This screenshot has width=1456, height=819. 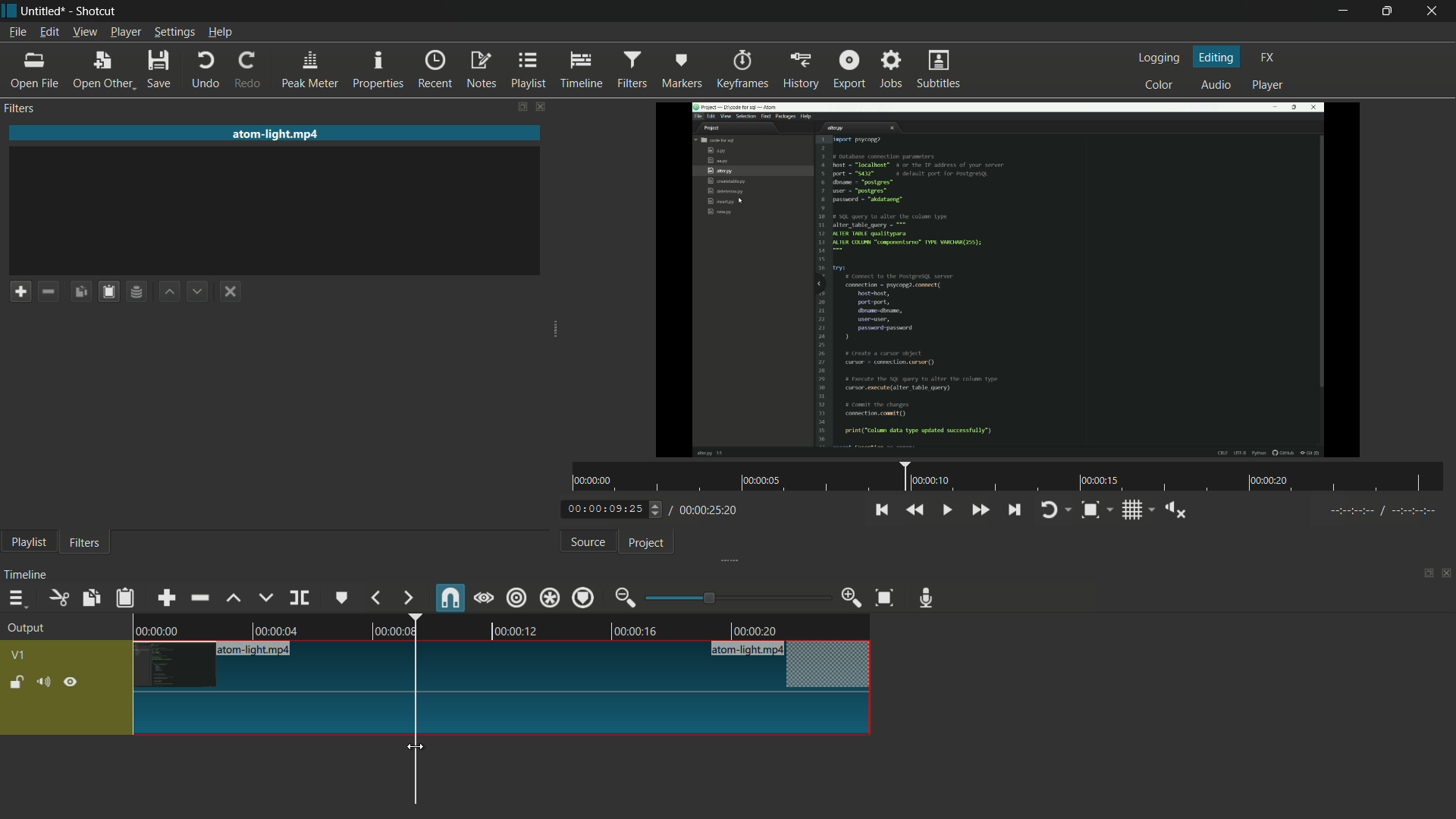 What do you see at coordinates (504, 666) in the screenshot?
I see `video track v1` at bounding box center [504, 666].